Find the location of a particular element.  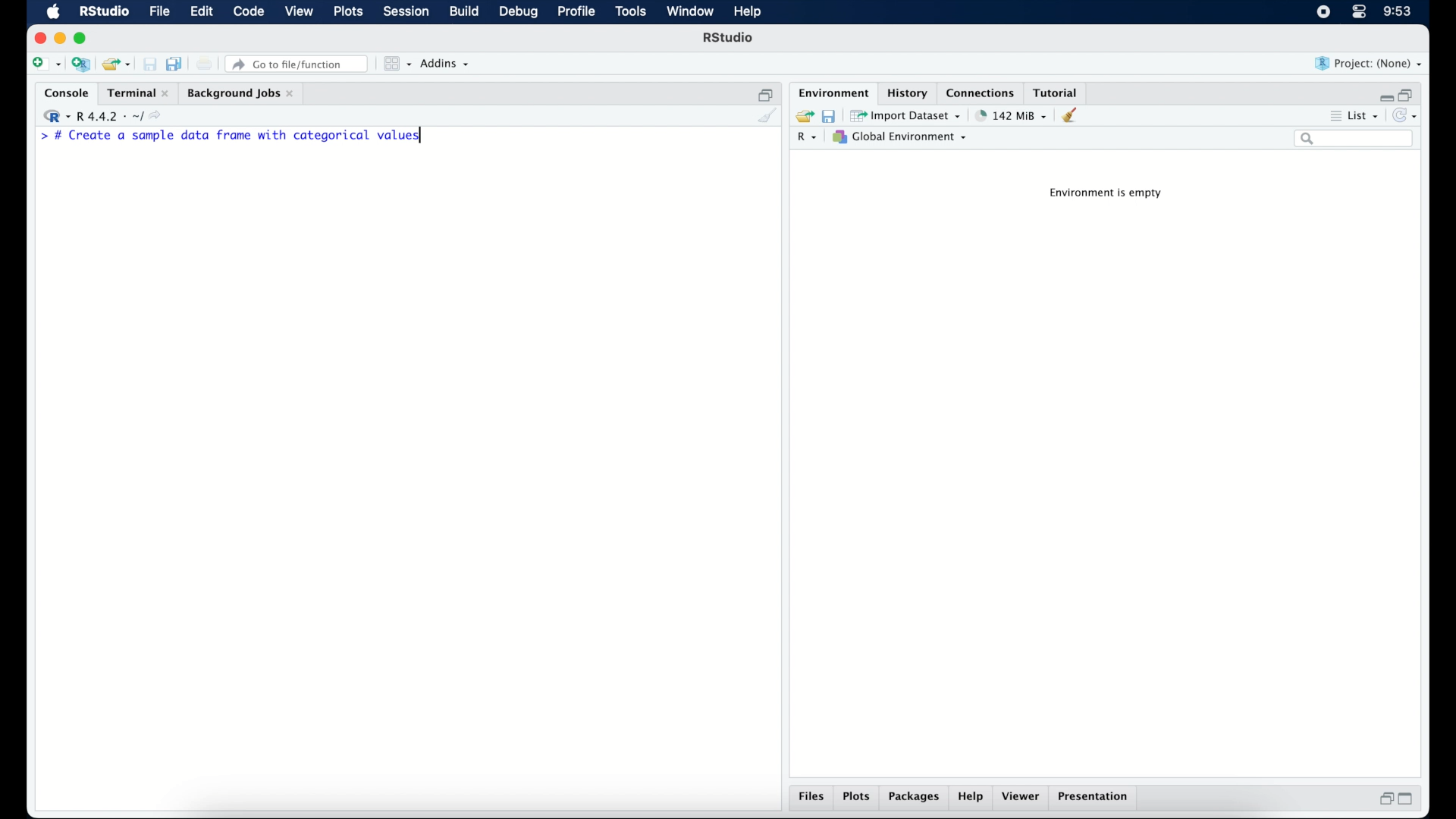

R 4.4.2 is located at coordinates (102, 114).